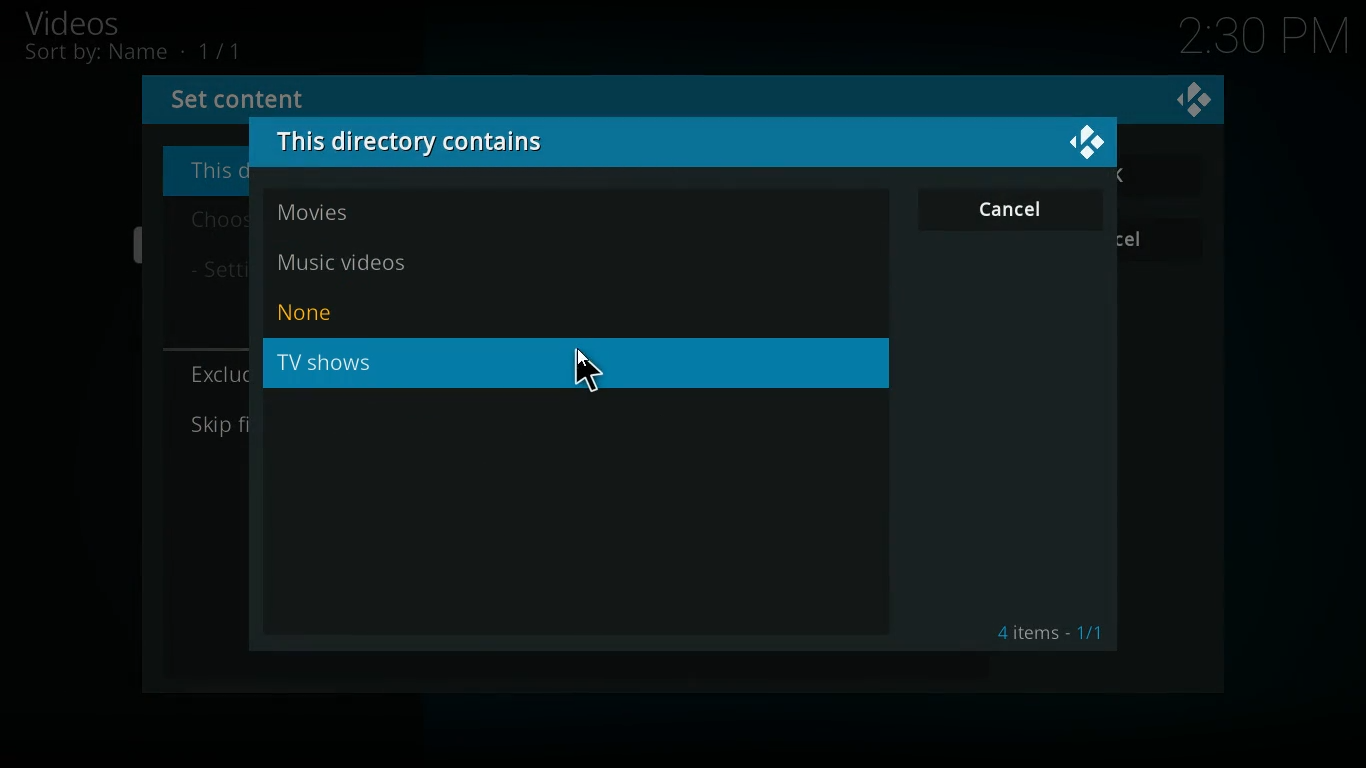  Describe the element at coordinates (250, 98) in the screenshot. I see `set content` at that location.